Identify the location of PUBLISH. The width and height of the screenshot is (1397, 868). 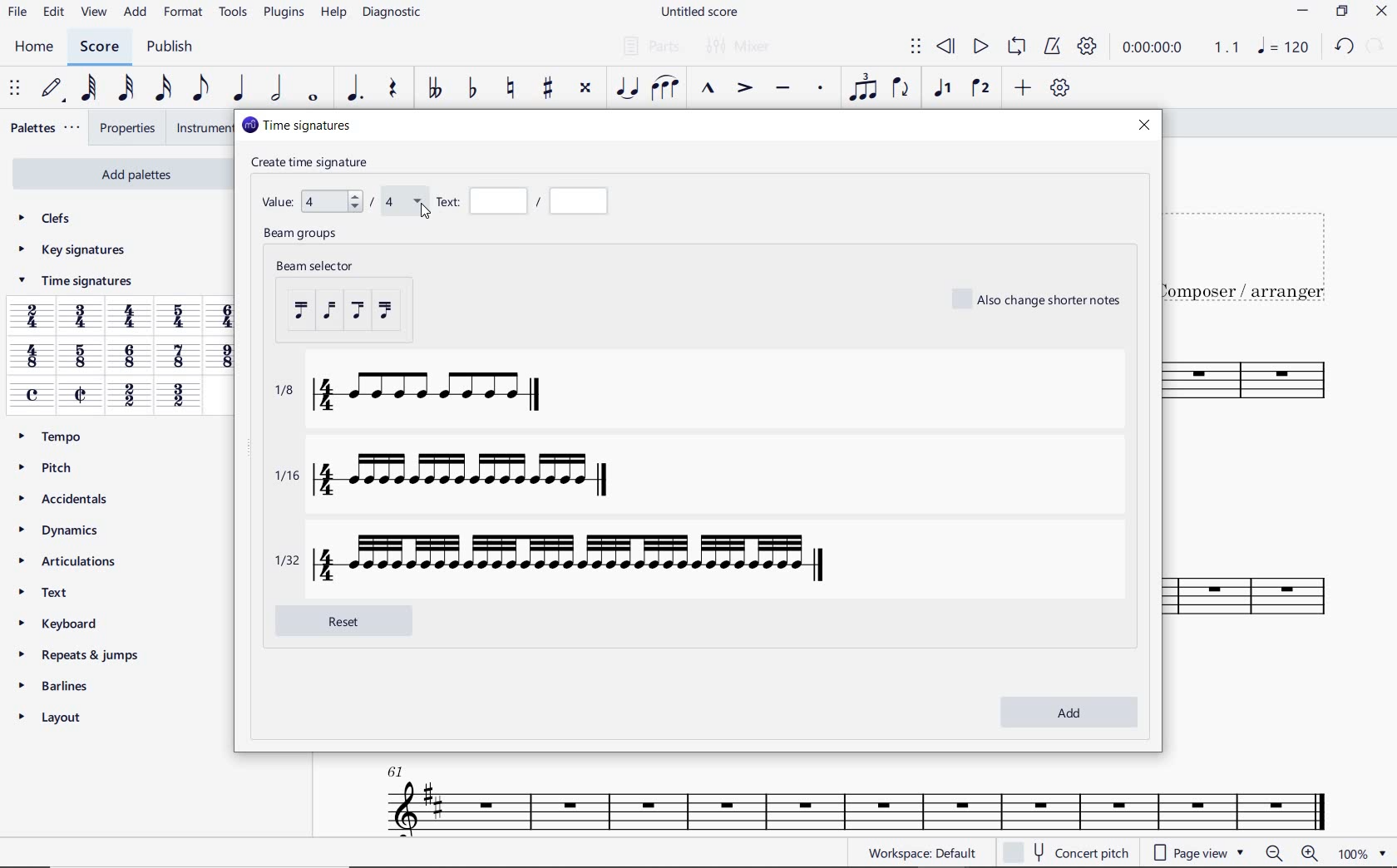
(173, 47).